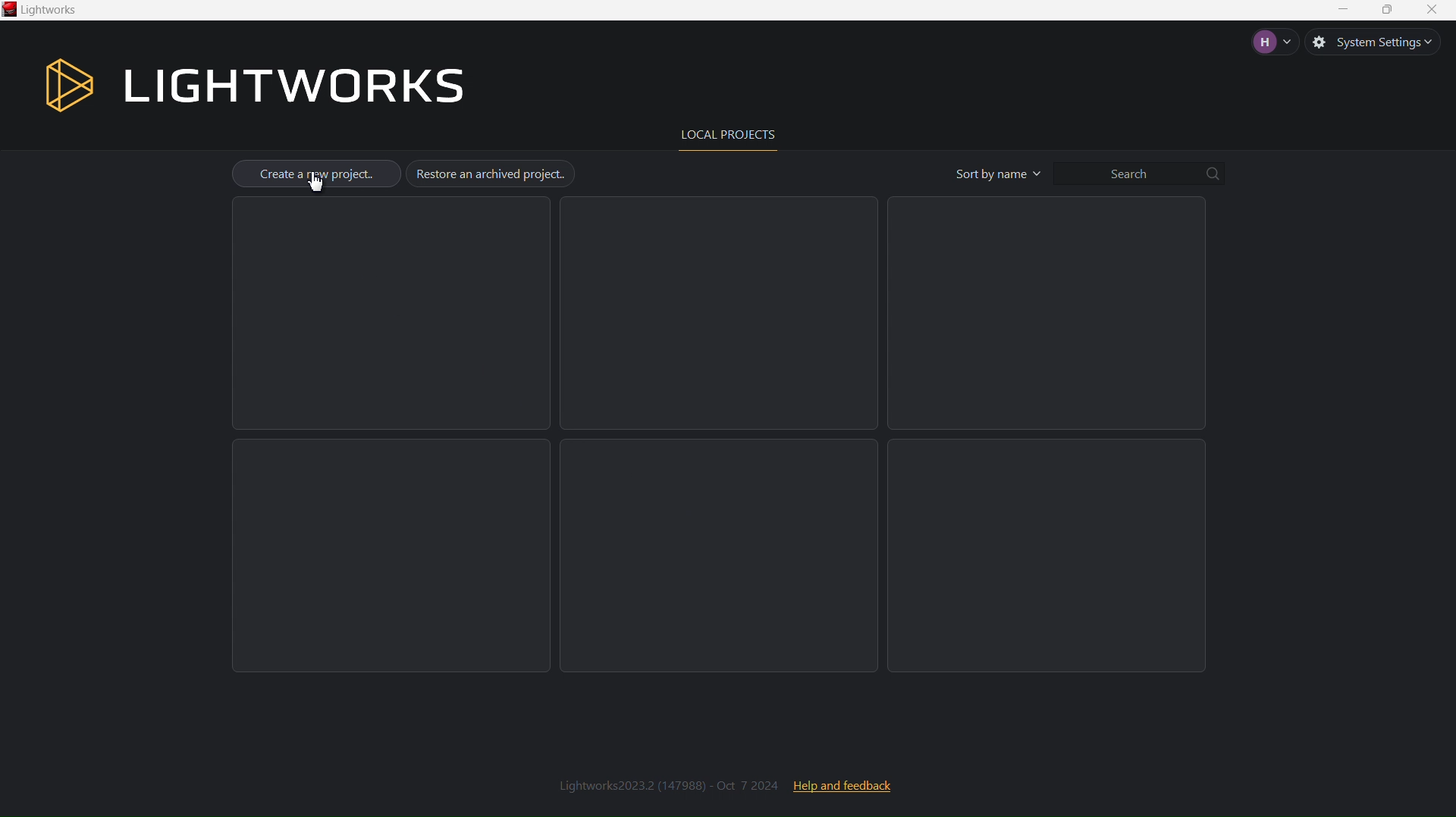  I want to click on Local Projects, so click(725, 136).